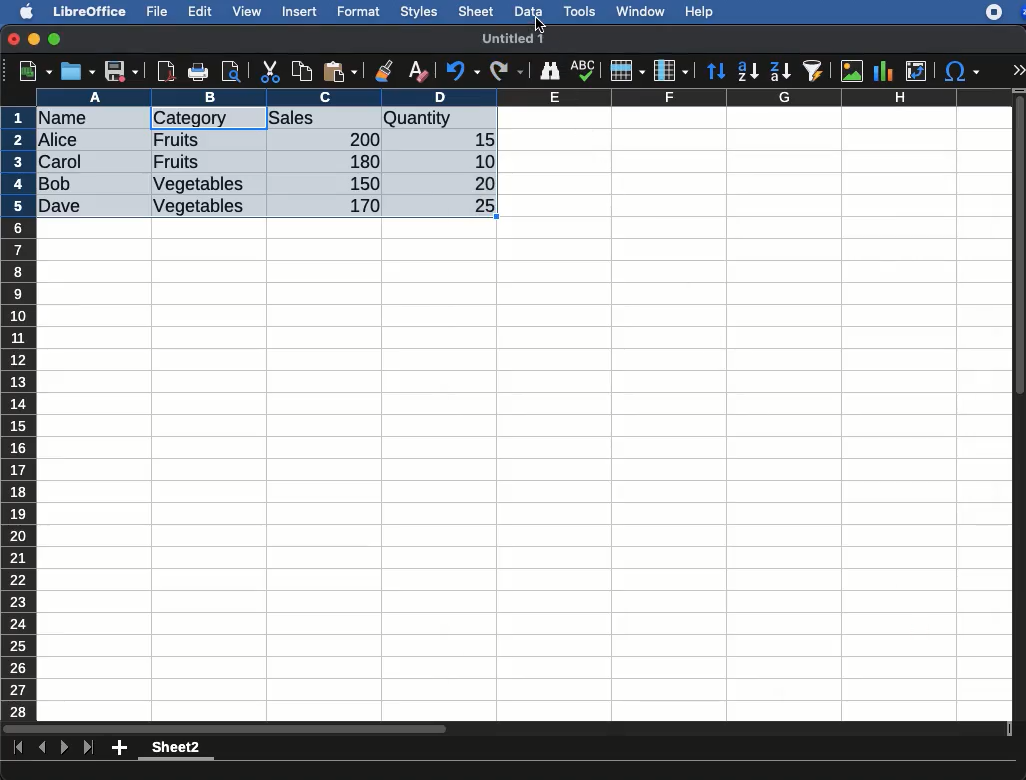 The image size is (1026, 780). What do you see at coordinates (176, 750) in the screenshot?
I see `sheet 2` at bounding box center [176, 750].